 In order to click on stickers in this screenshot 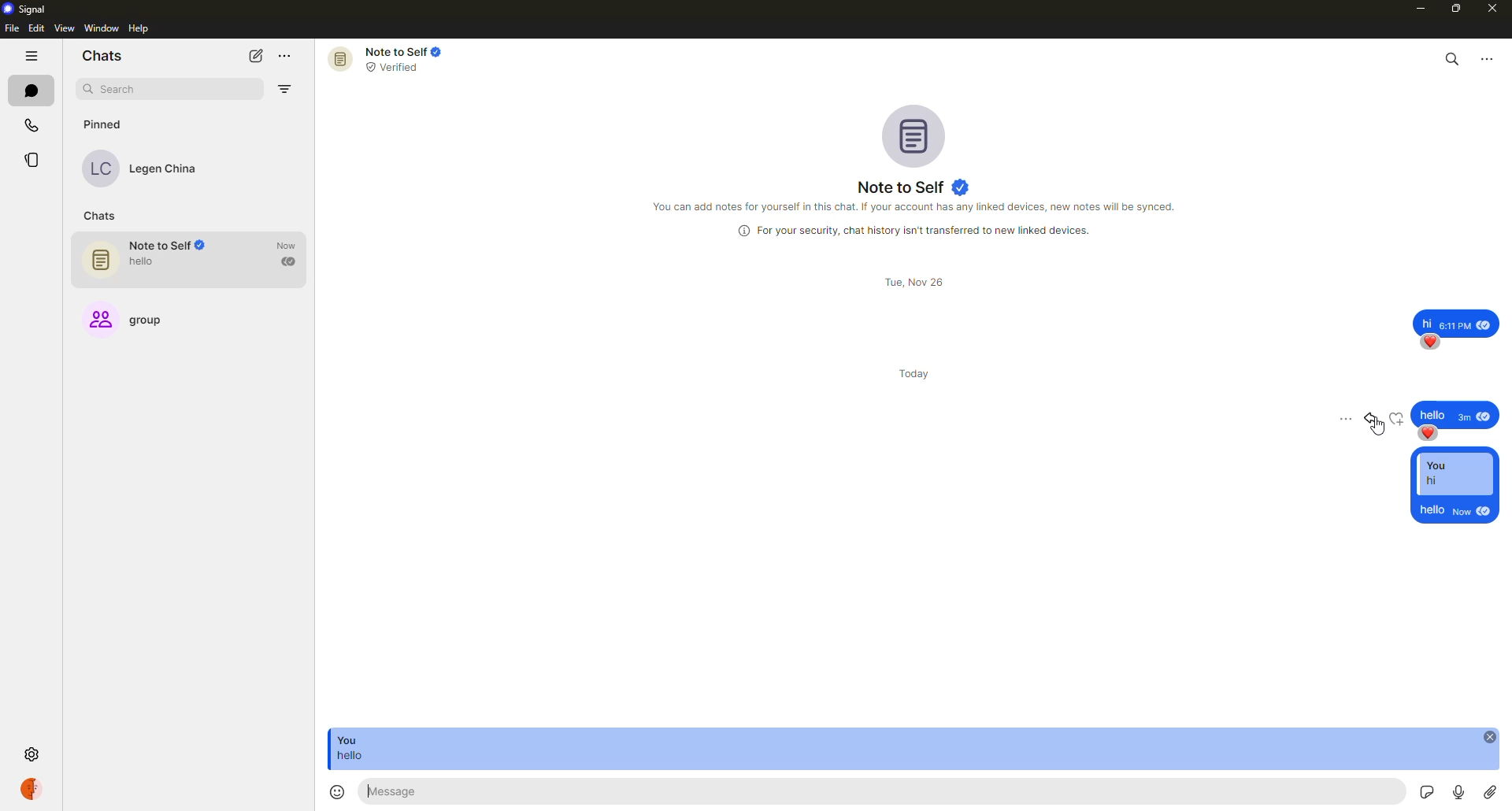, I will do `click(1416, 789)`.